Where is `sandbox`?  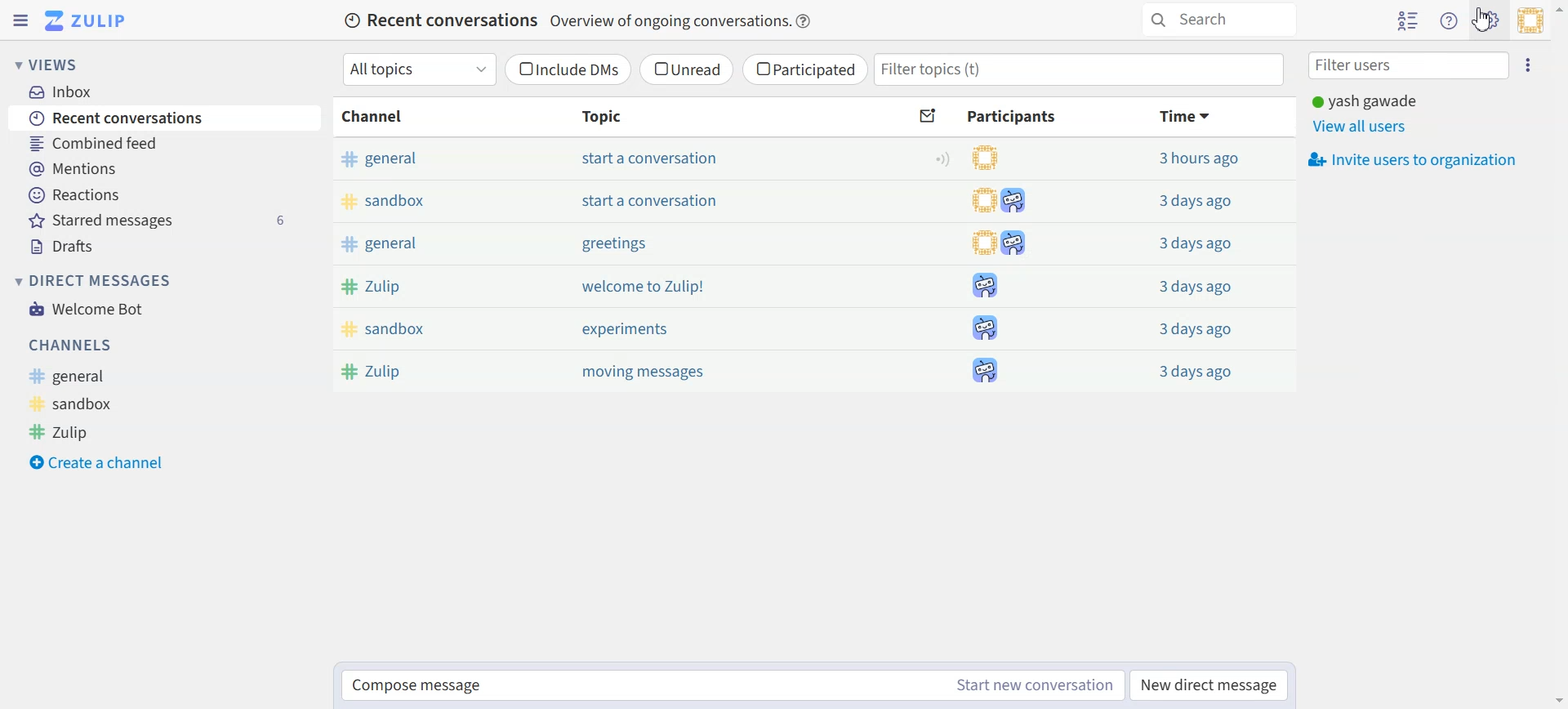 sandbox is located at coordinates (388, 331).